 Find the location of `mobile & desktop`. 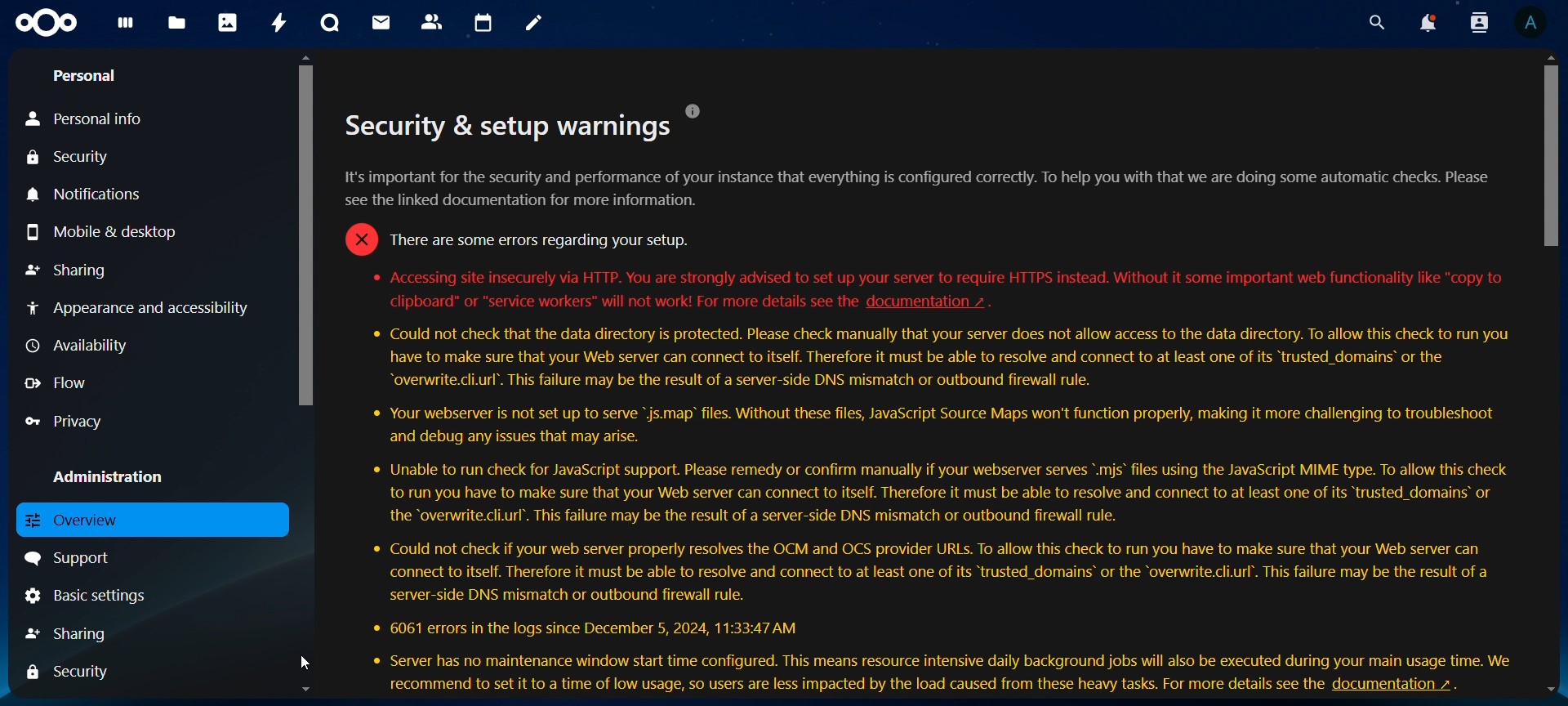

mobile & desktop is located at coordinates (99, 231).